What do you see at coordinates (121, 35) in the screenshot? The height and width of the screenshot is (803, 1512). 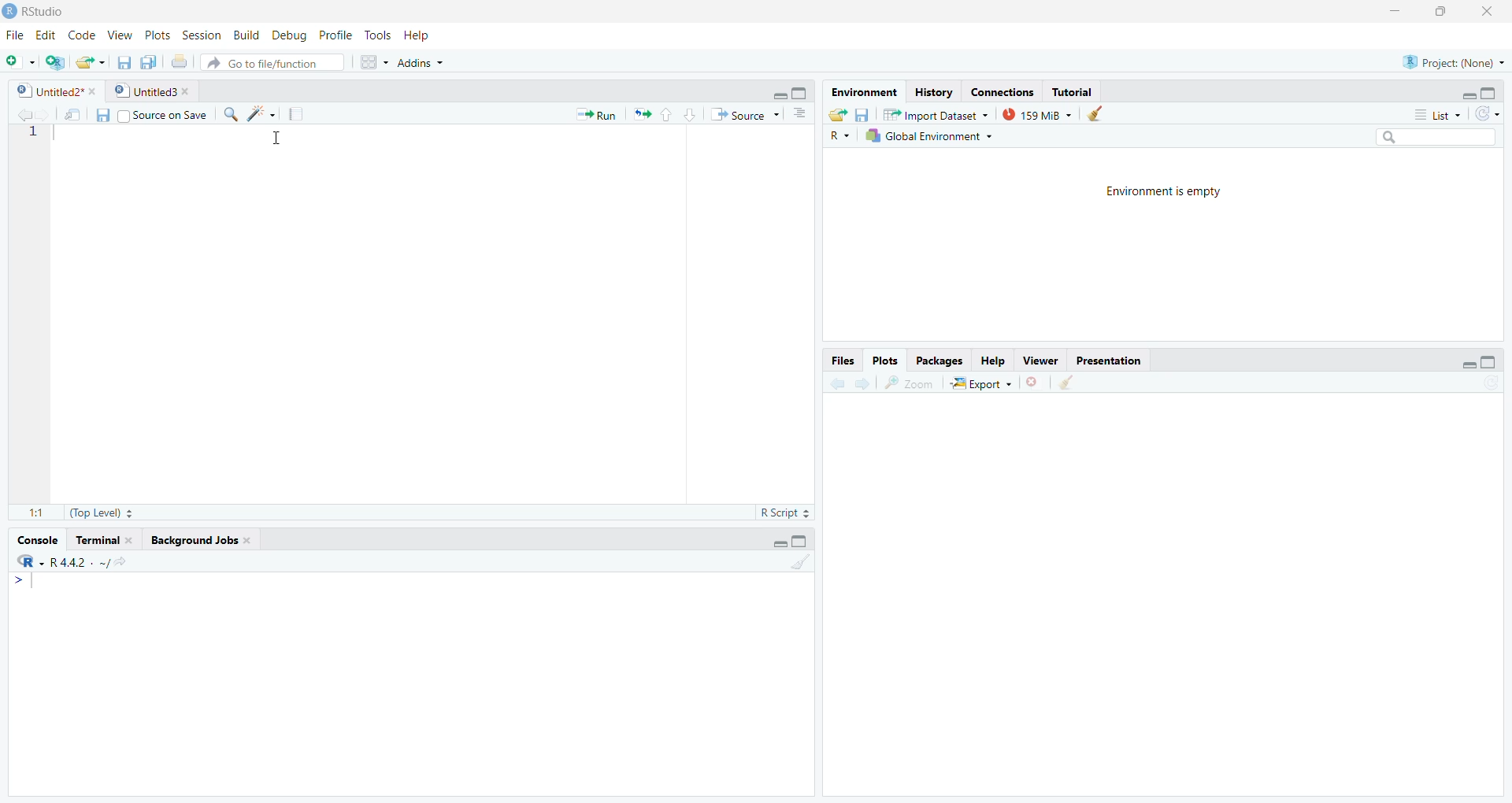 I see `View` at bounding box center [121, 35].